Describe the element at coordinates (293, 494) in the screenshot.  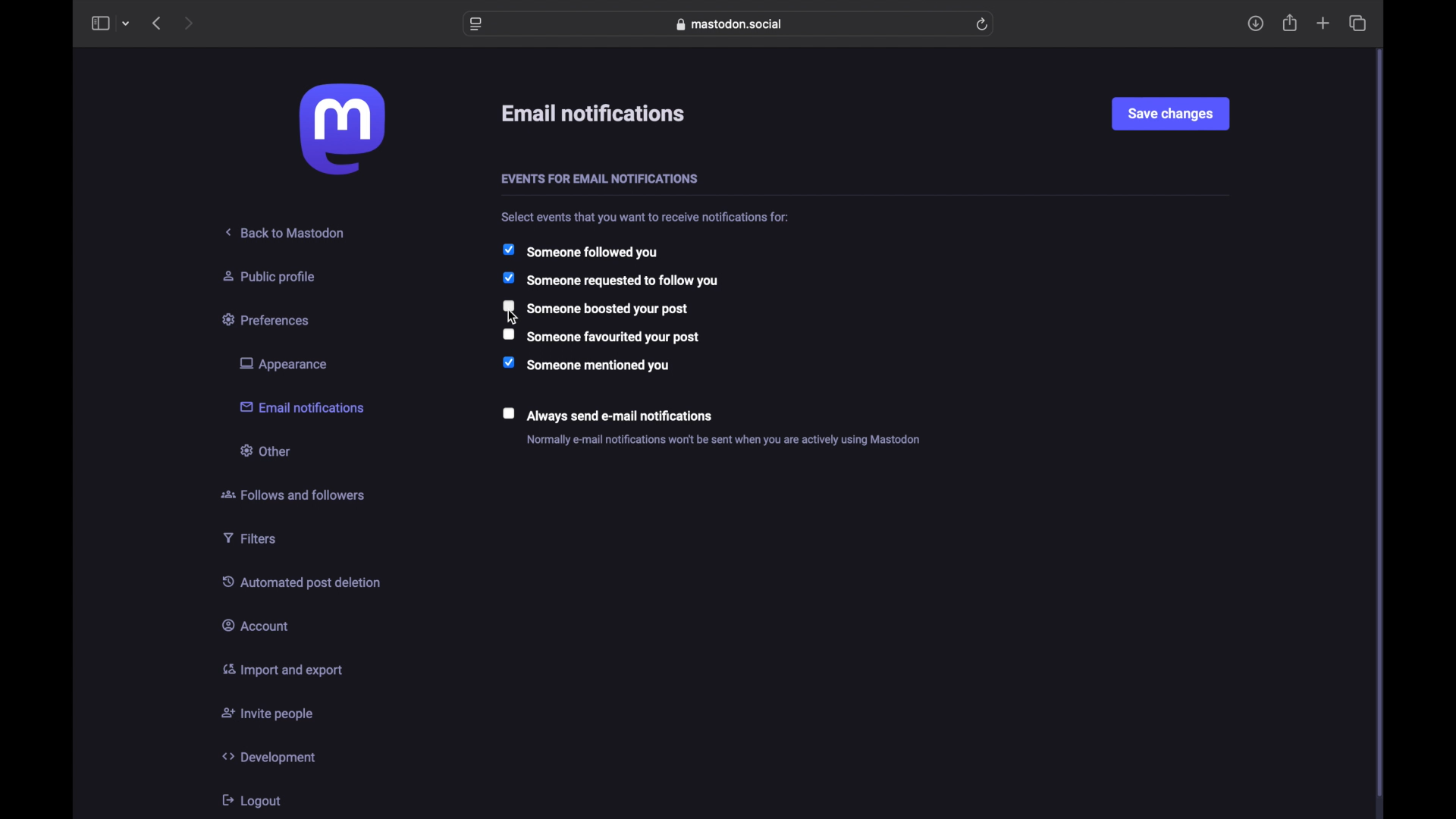
I see `follows and followers` at that location.